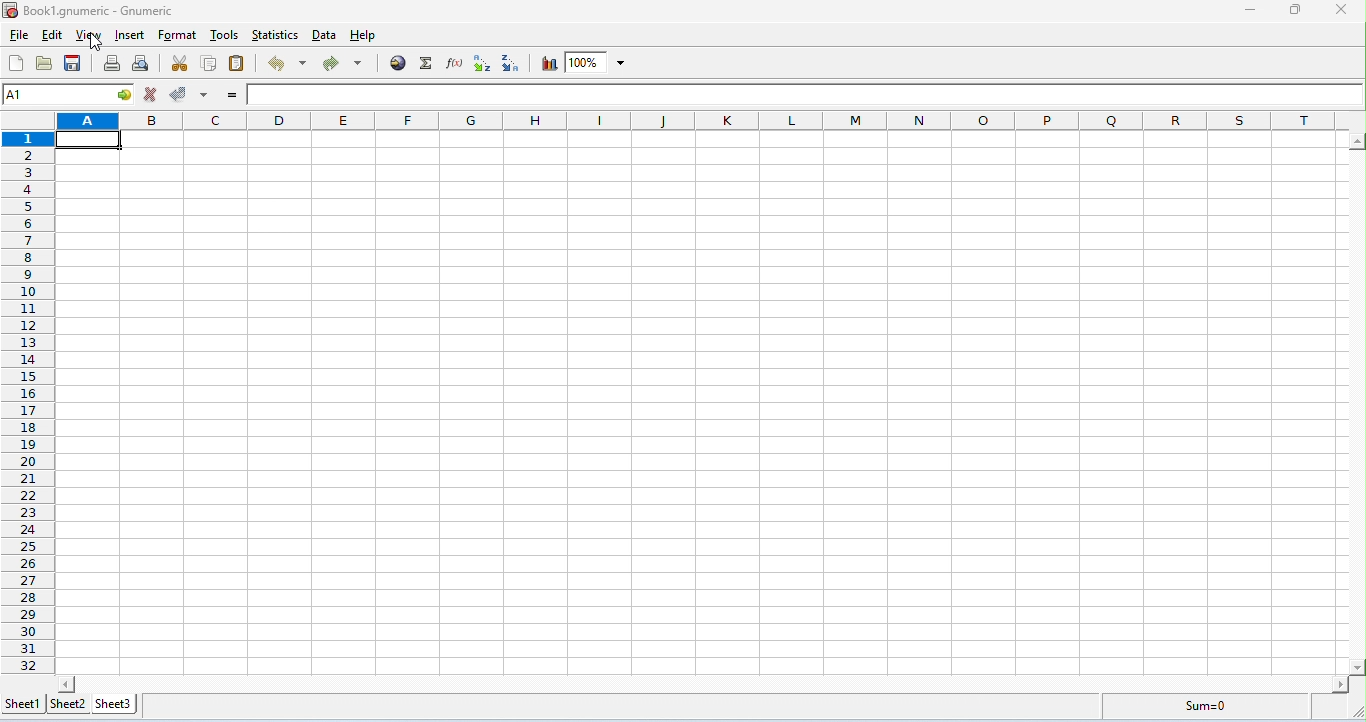 The width and height of the screenshot is (1366, 722). Describe the element at coordinates (224, 36) in the screenshot. I see `tools` at that location.